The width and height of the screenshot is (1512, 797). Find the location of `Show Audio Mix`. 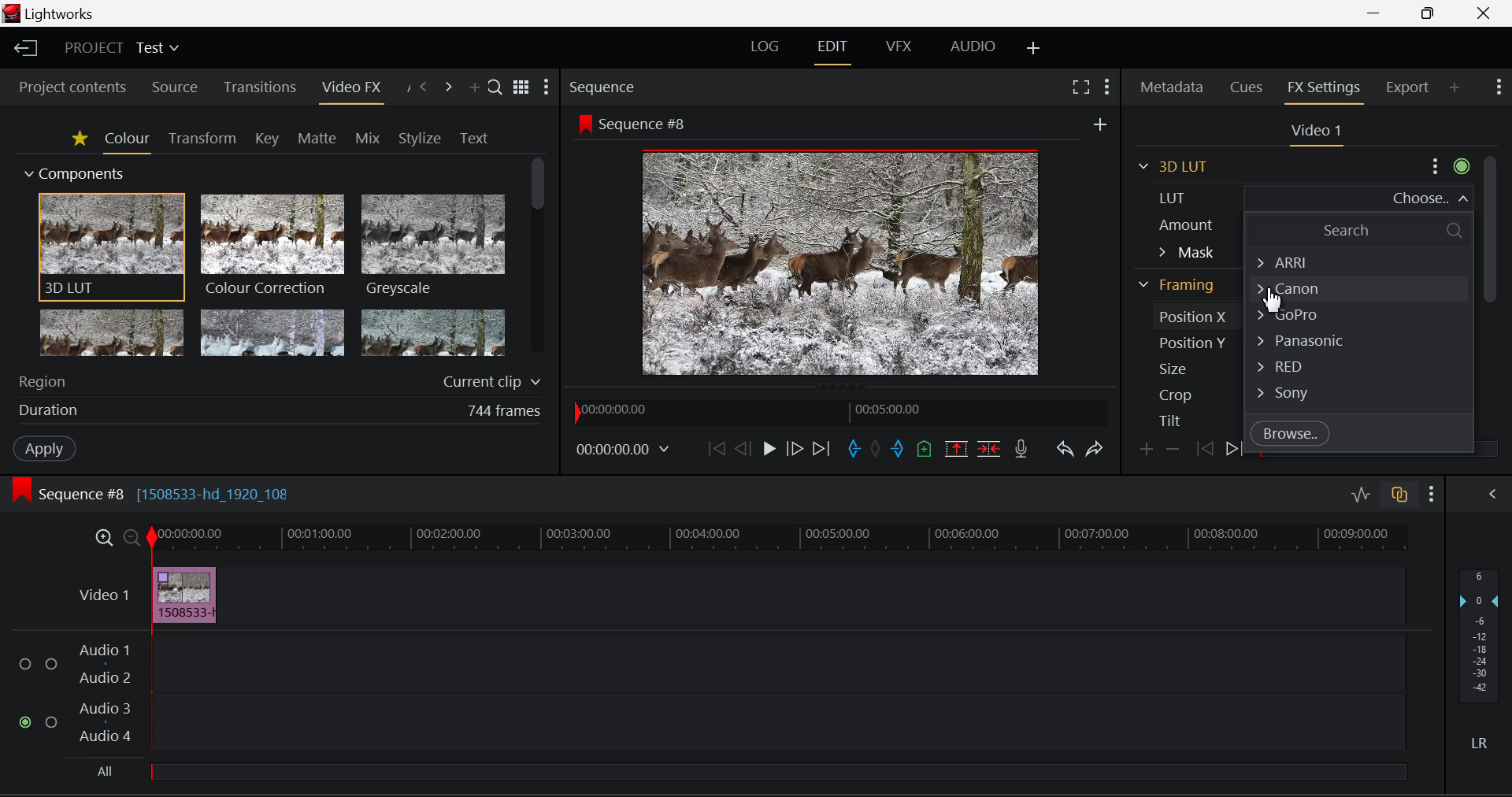

Show Audio Mix is located at coordinates (1488, 492).